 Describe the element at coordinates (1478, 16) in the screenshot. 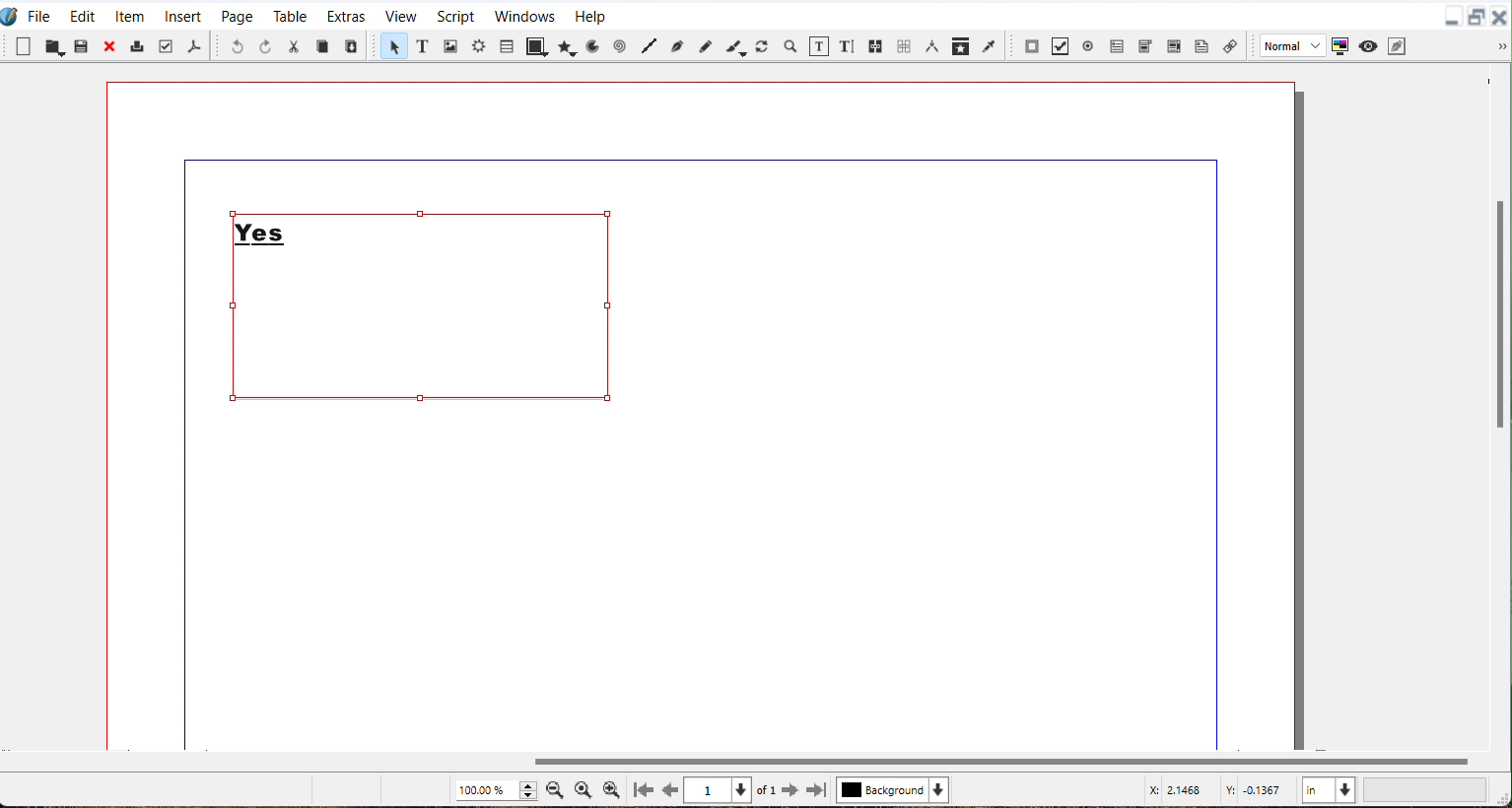

I see `Maximize` at that location.